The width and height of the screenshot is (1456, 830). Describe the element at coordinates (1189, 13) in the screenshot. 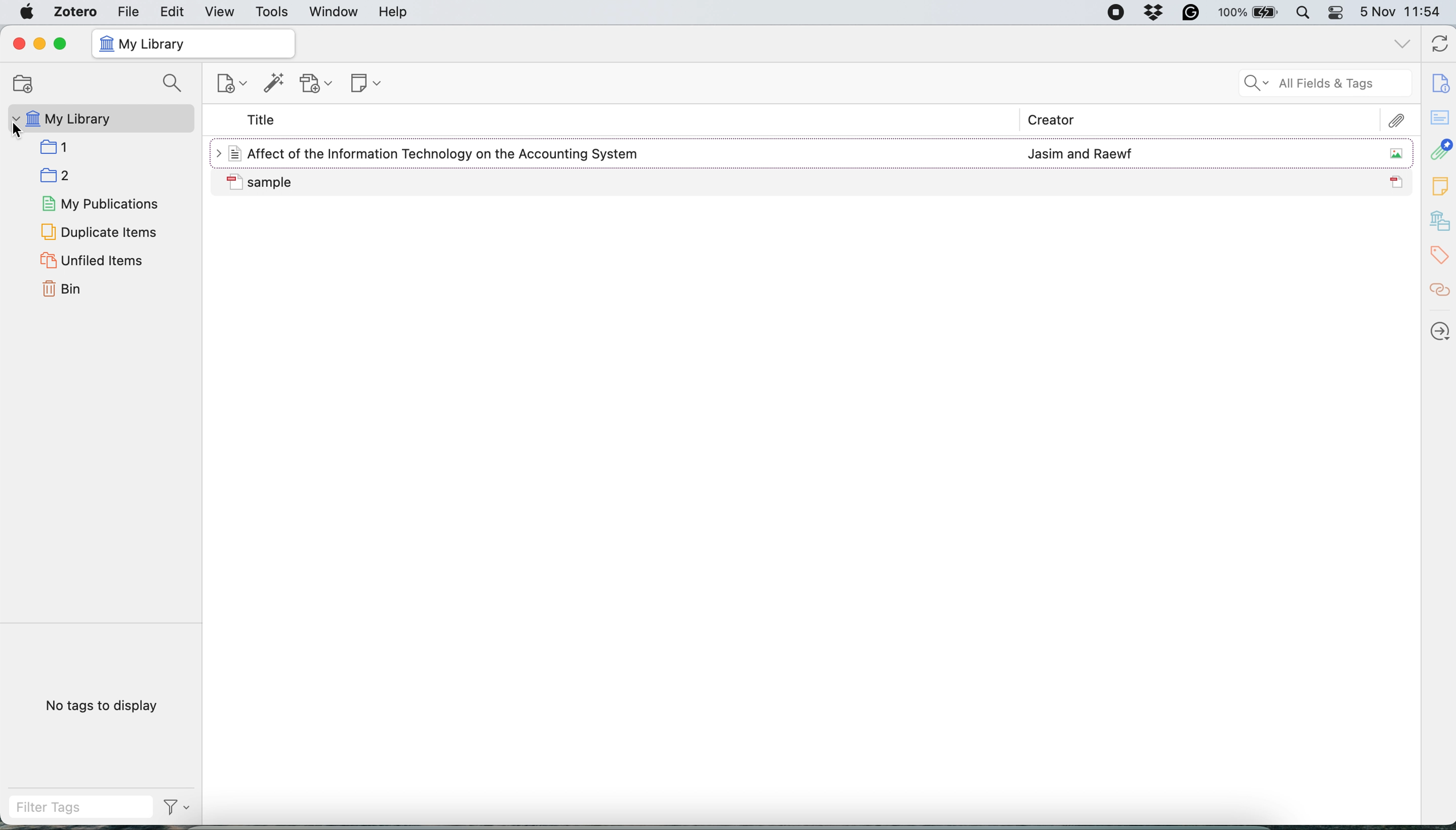

I see `grammarly` at that location.